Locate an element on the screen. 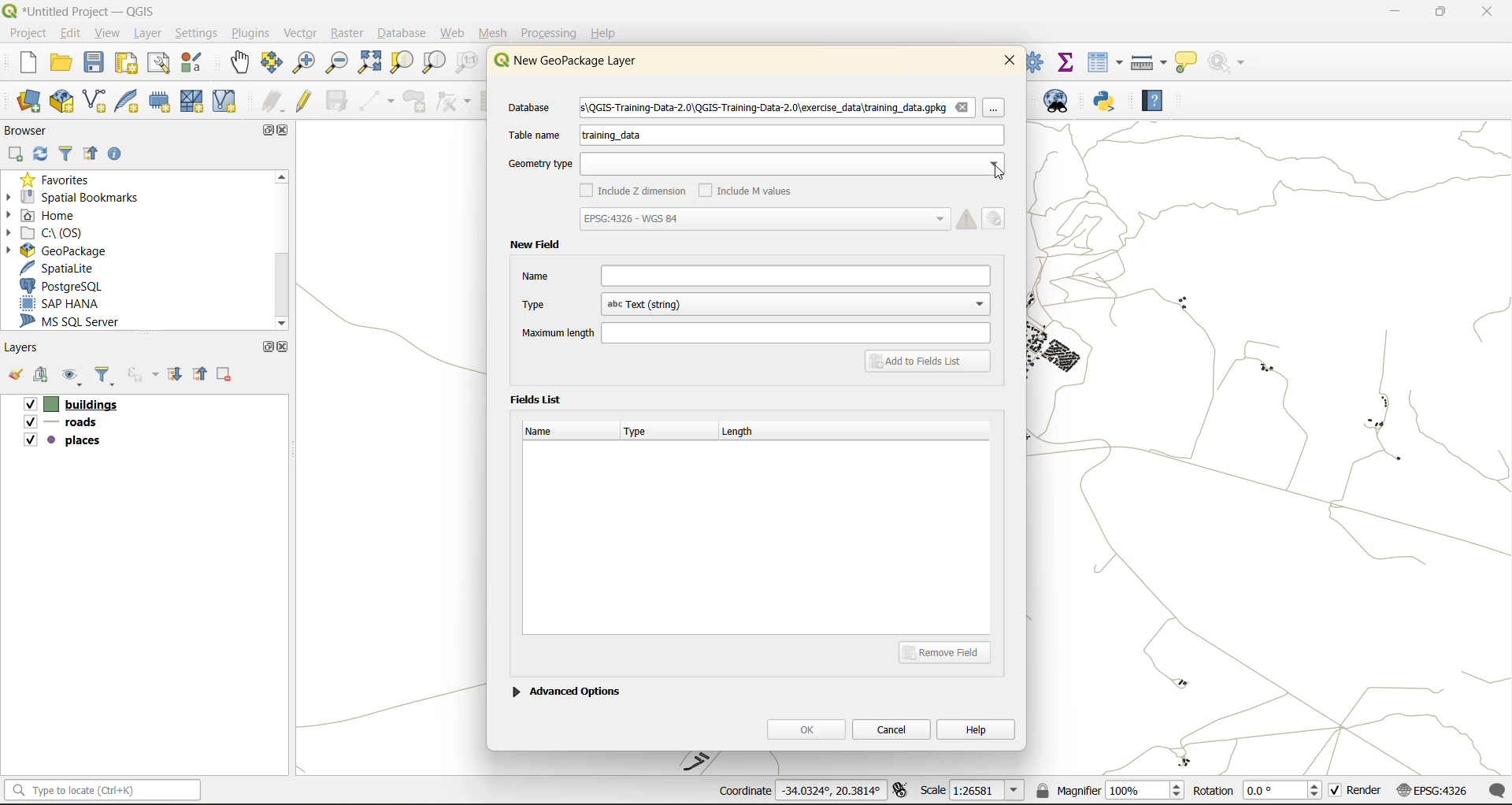 The image size is (1512, 805). maximize is located at coordinates (1440, 14).